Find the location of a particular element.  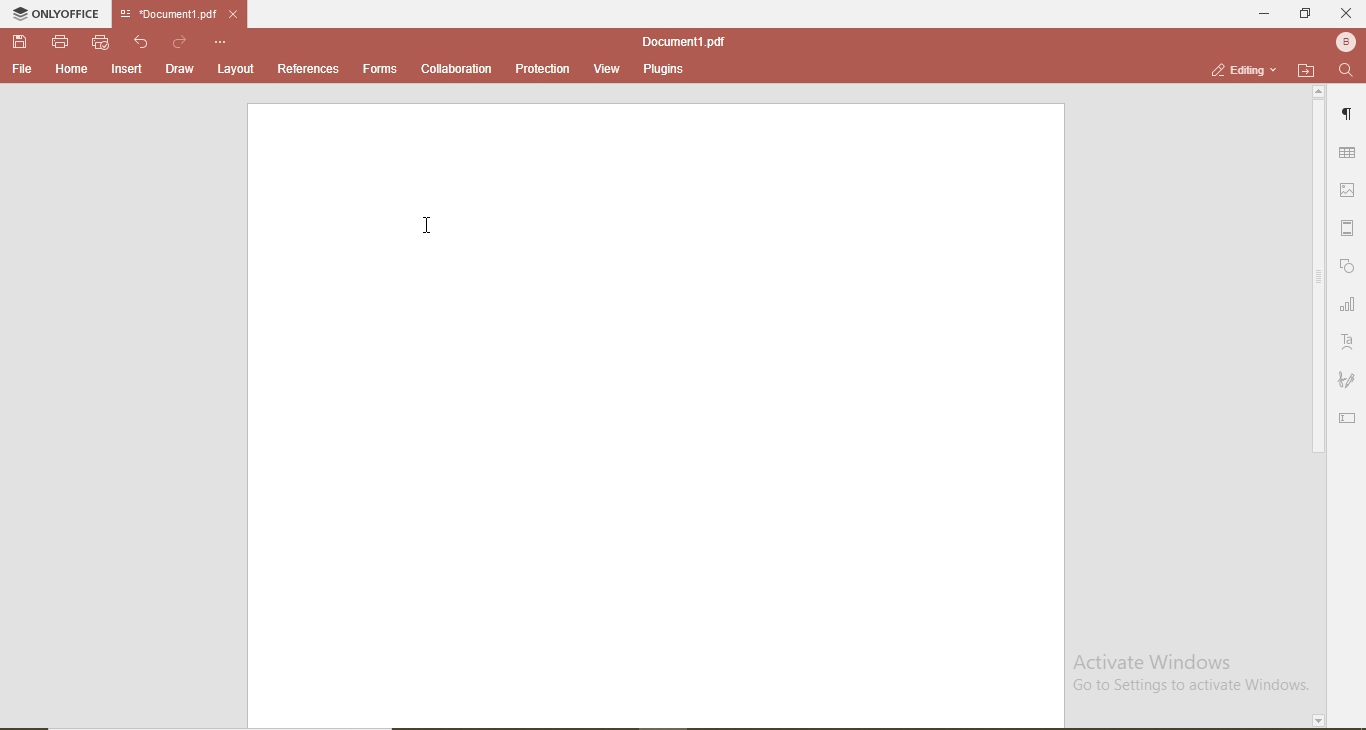

edit is located at coordinates (1350, 418).